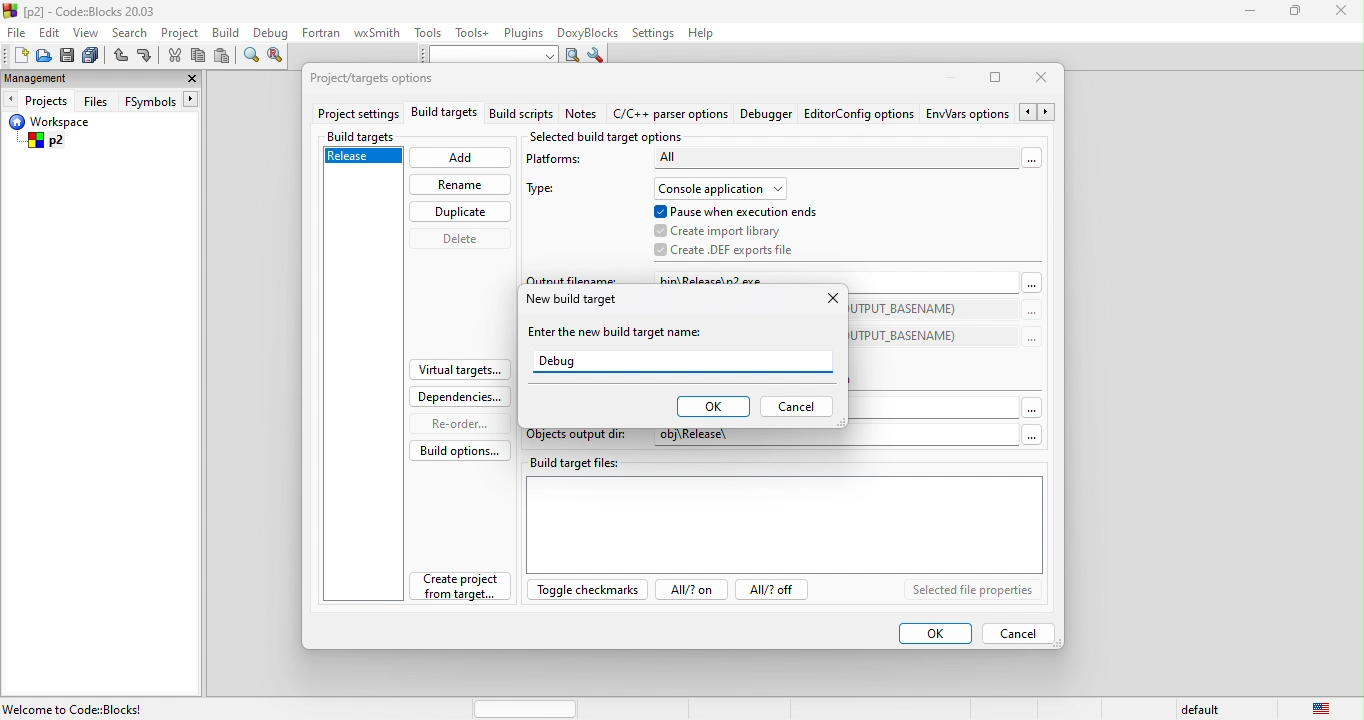  I want to click on projects, so click(37, 99).